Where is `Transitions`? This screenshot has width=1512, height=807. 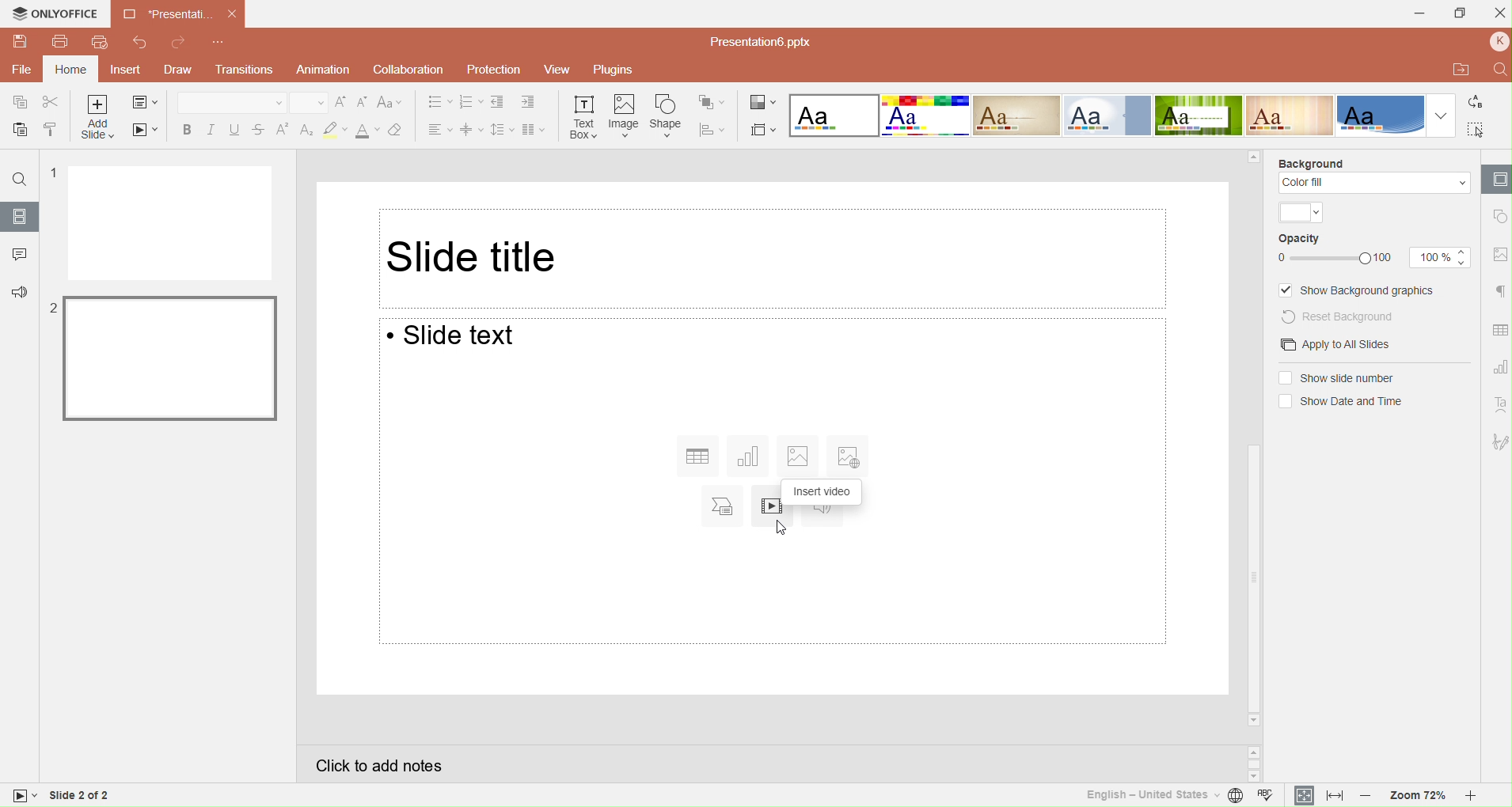
Transitions is located at coordinates (242, 70).